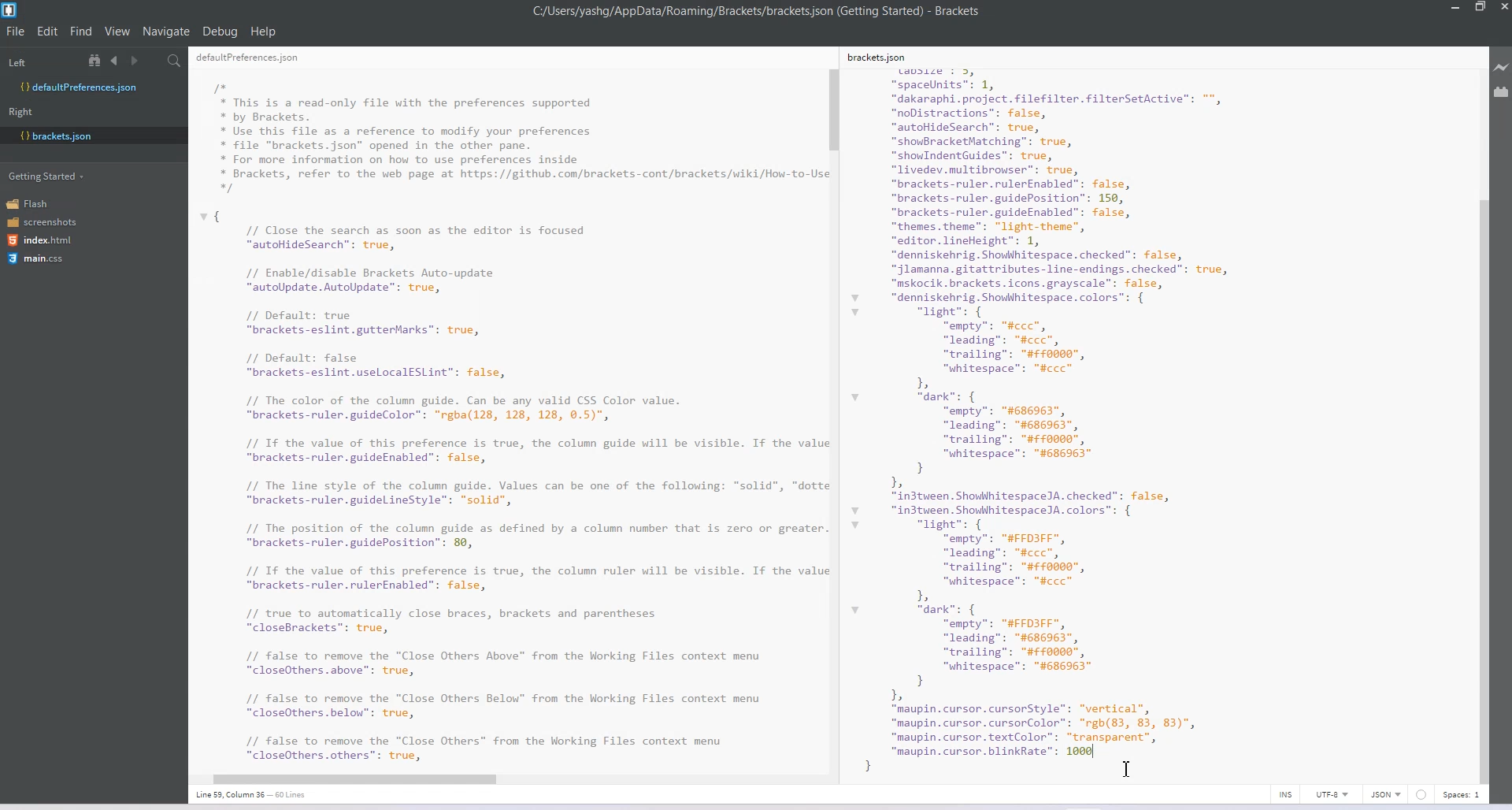 The width and height of the screenshot is (1512, 810). Describe the element at coordinates (1332, 794) in the screenshot. I see `UTF-8` at that location.